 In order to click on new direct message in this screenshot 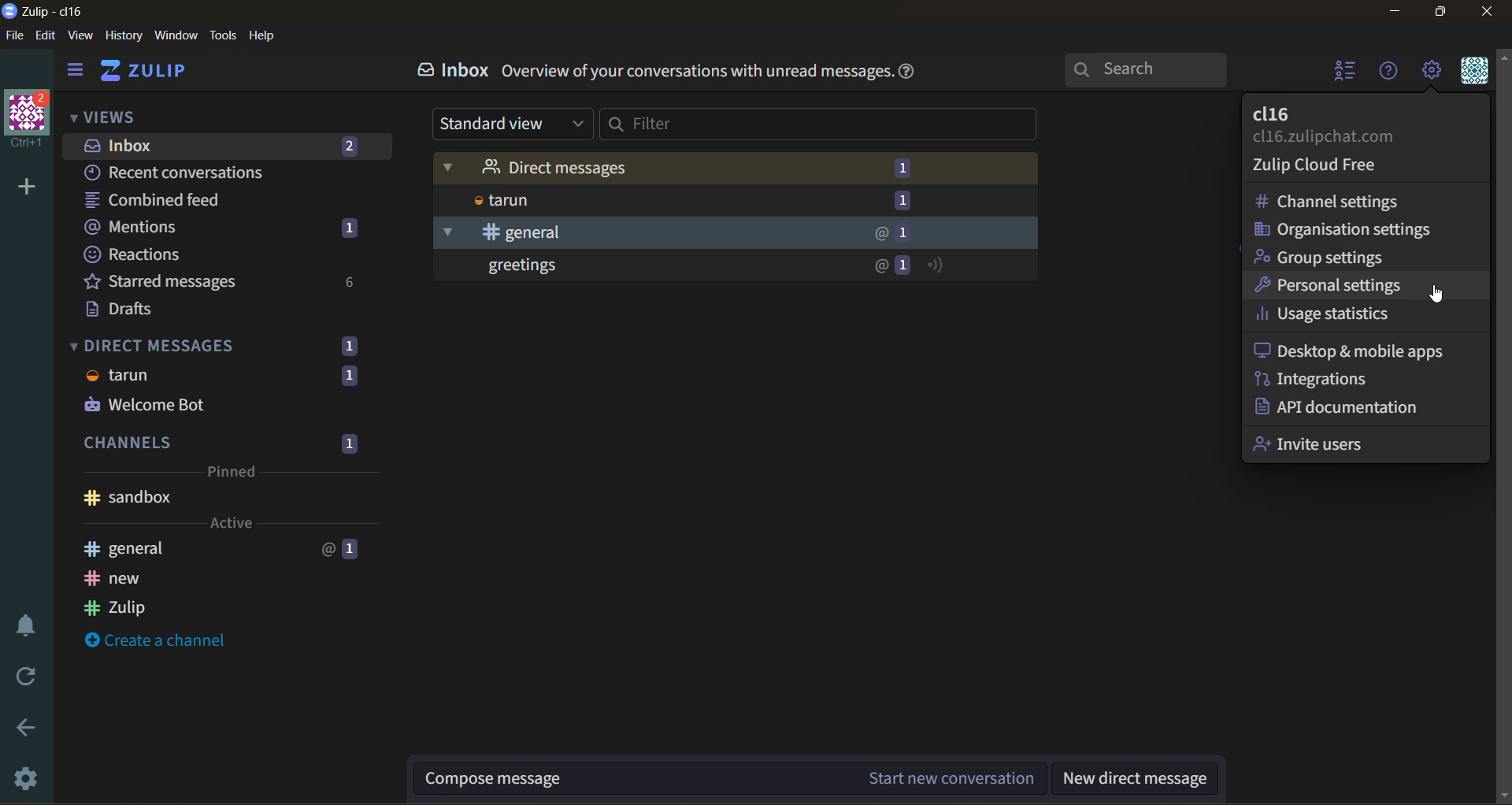, I will do `click(1133, 781)`.